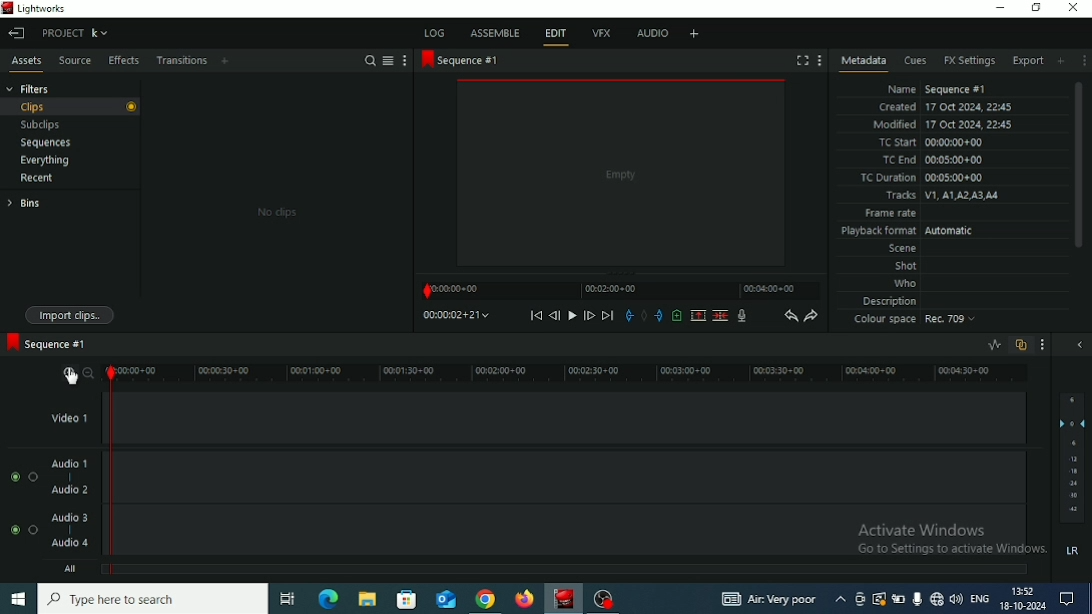 The height and width of the screenshot is (614, 1092). What do you see at coordinates (74, 60) in the screenshot?
I see `Source` at bounding box center [74, 60].